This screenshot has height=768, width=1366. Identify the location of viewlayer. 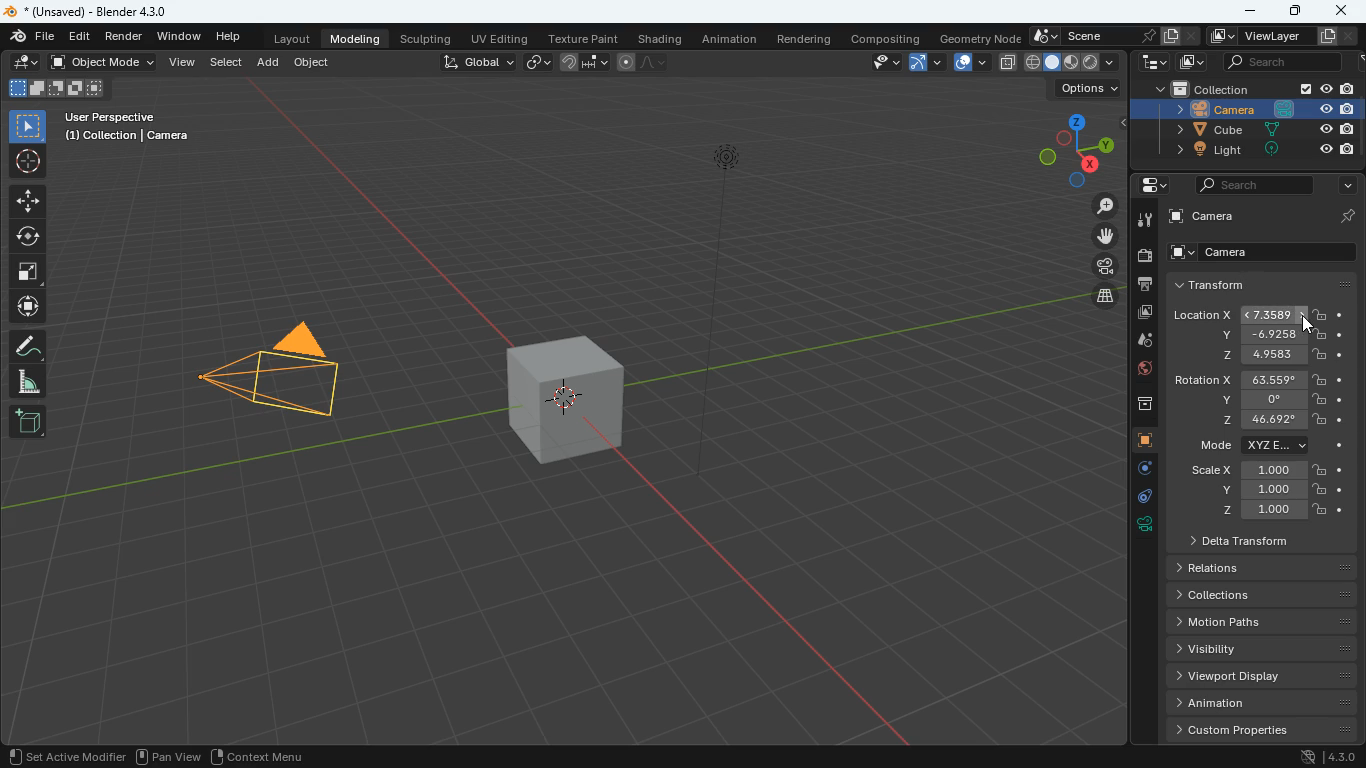
(1280, 36).